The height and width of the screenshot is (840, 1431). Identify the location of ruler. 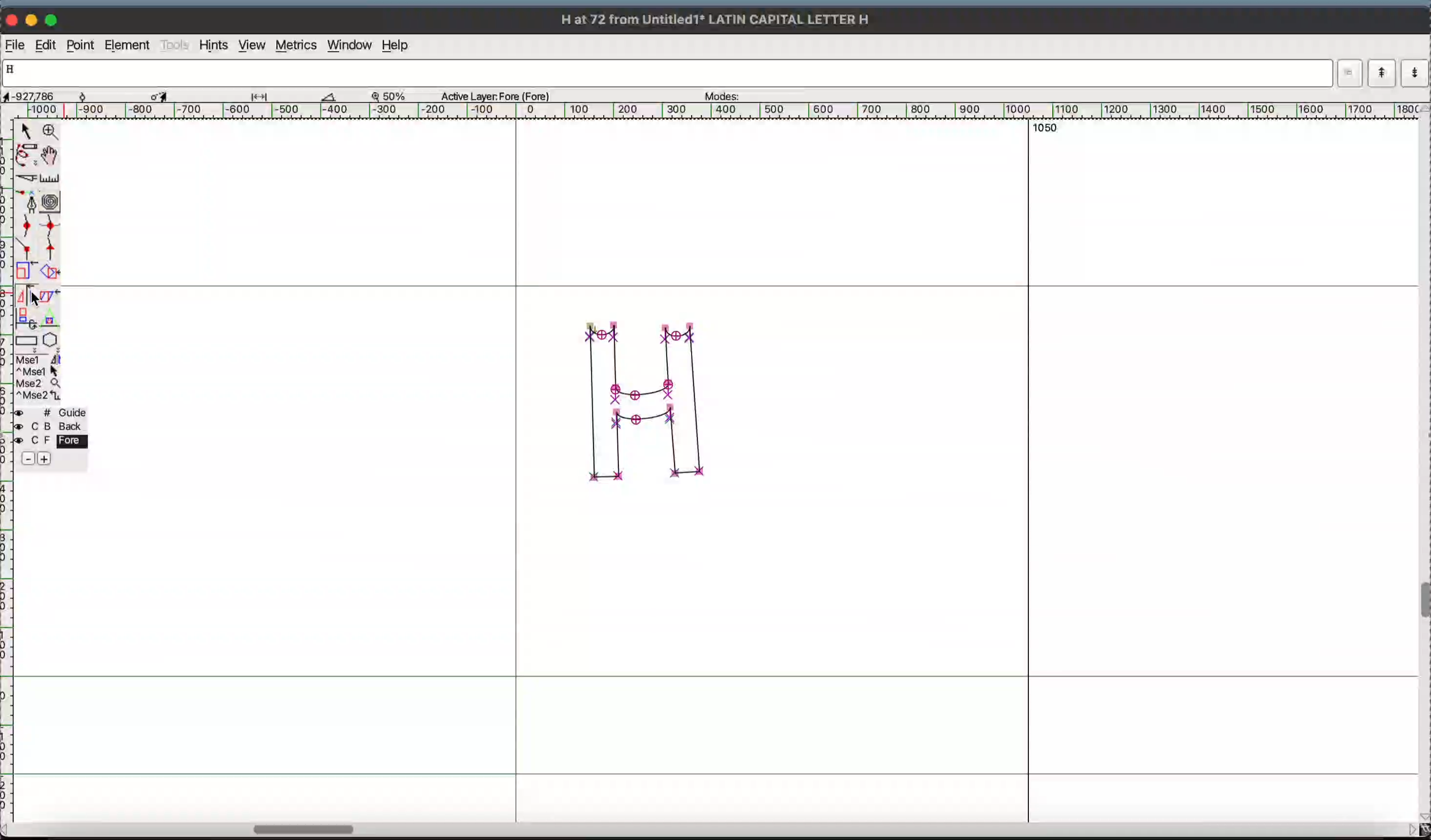
(726, 111).